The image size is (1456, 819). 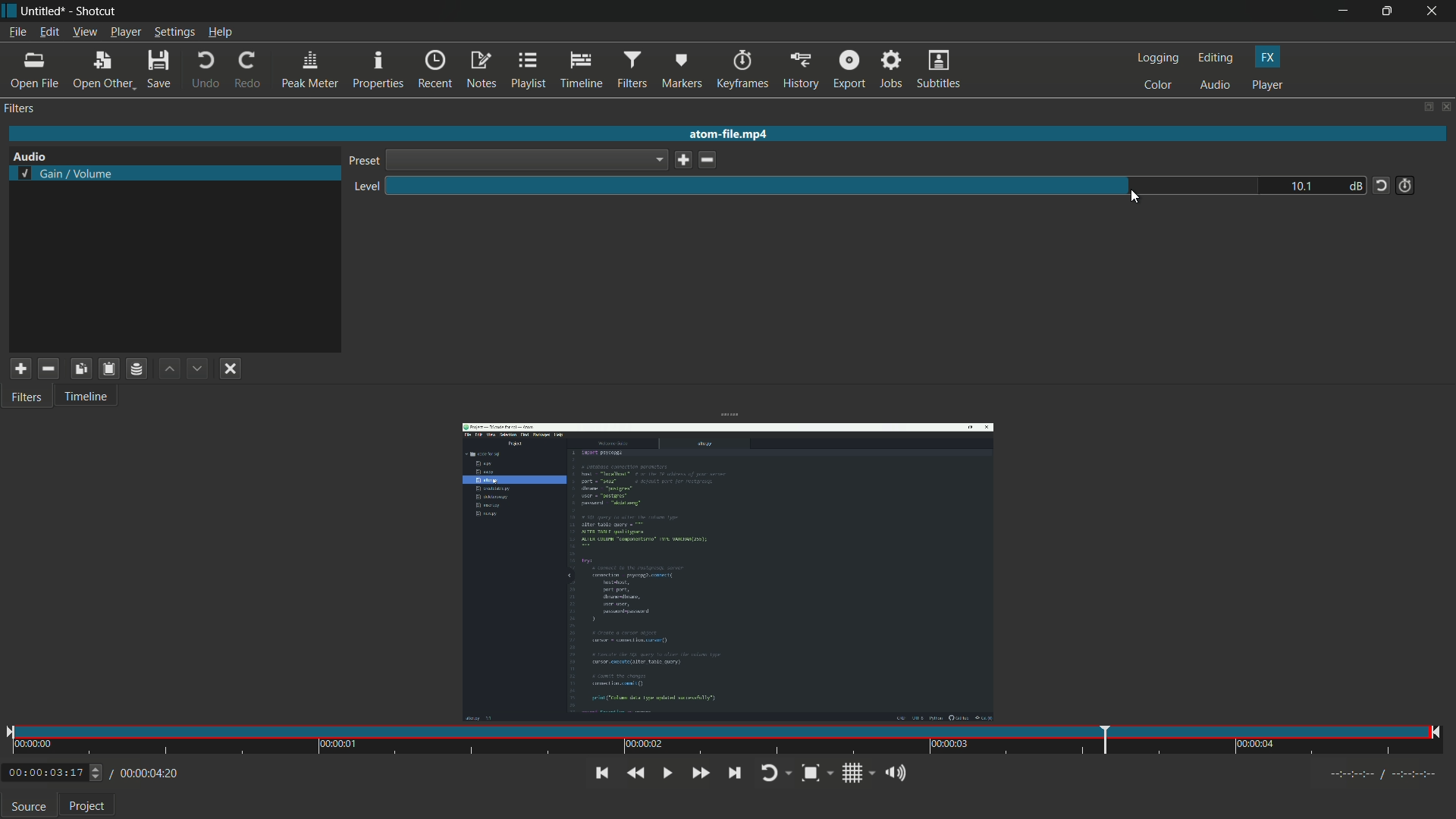 What do you see at coordinates (802, 71) in the screenshot?
I see `history` at bounding box center [802, 71].